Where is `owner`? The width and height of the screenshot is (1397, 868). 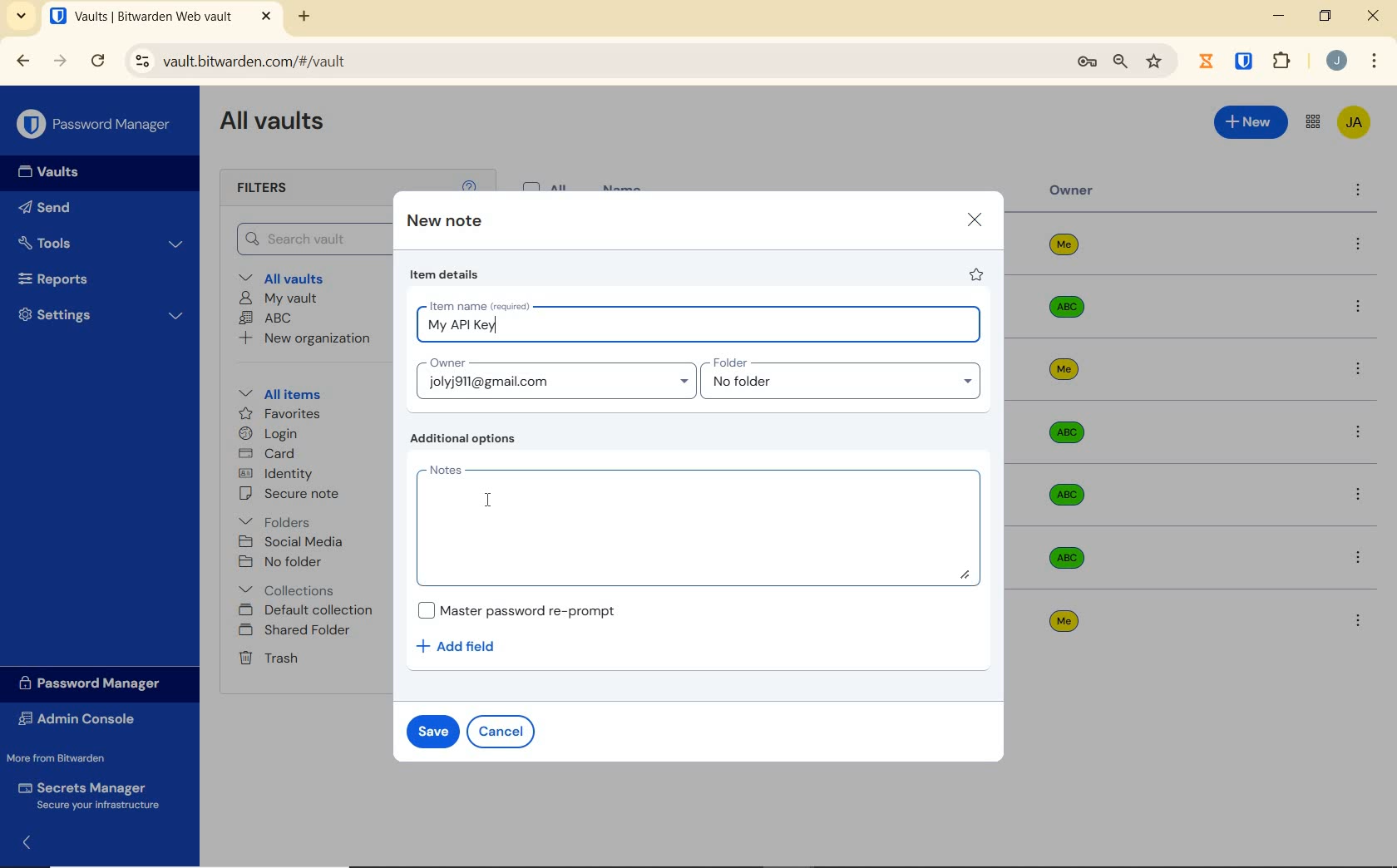
owner is located at coordinates (1072, 192).